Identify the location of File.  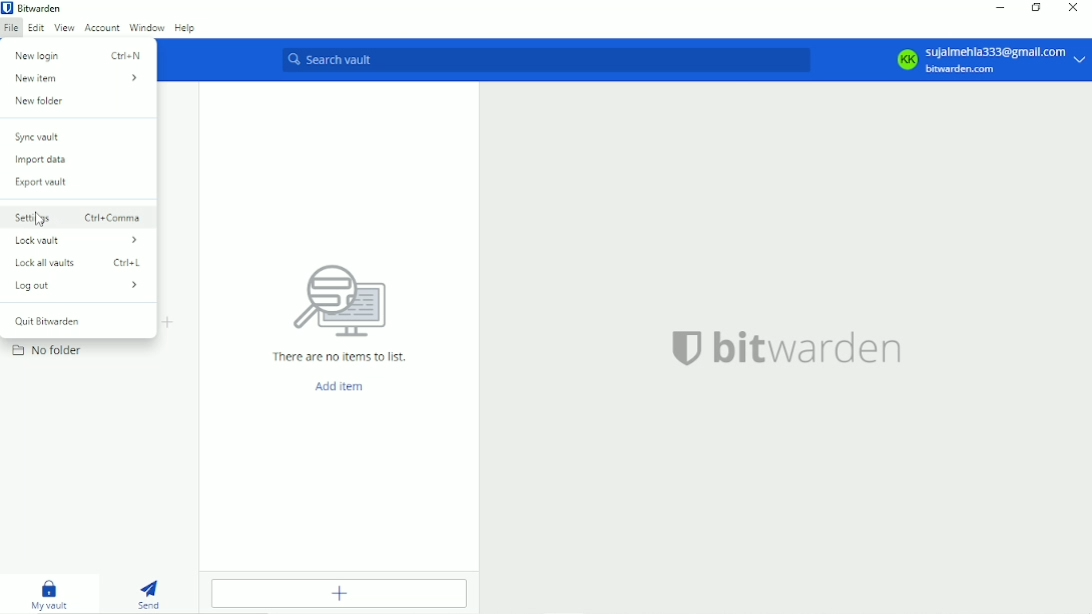
(11, 27).